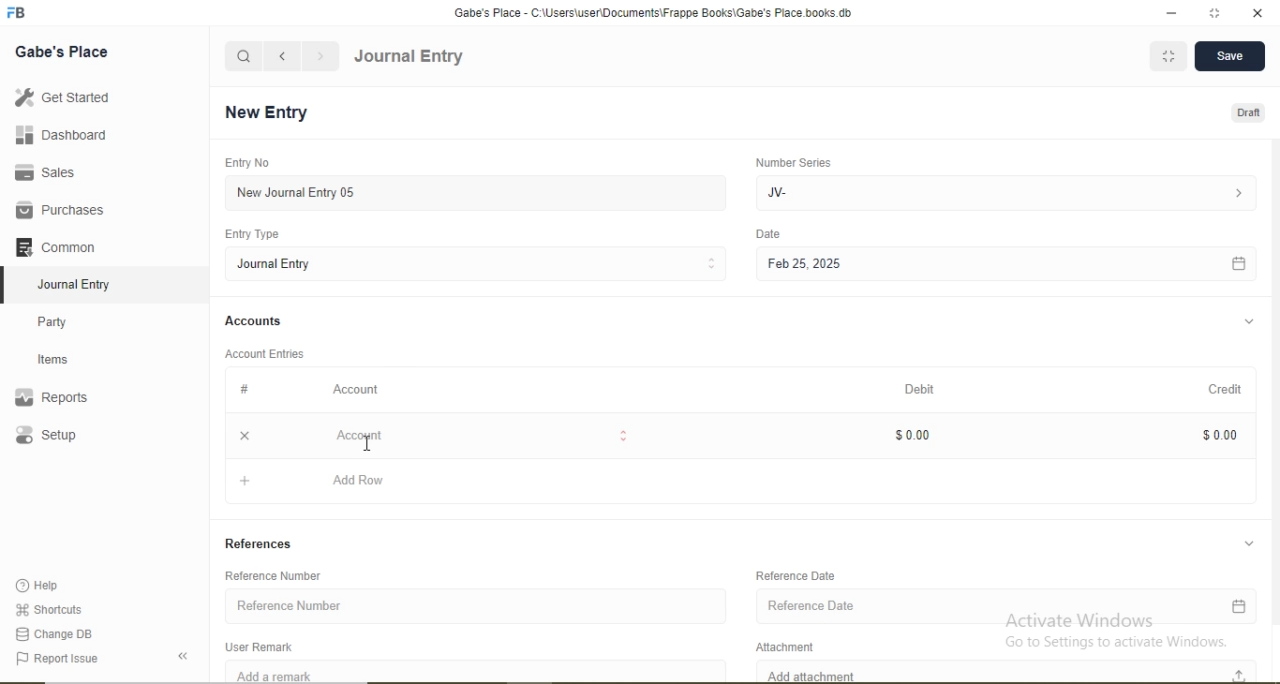 The width and height of the screenshot is (1280, 684). I want to click on New Entry, so click(272, 113).